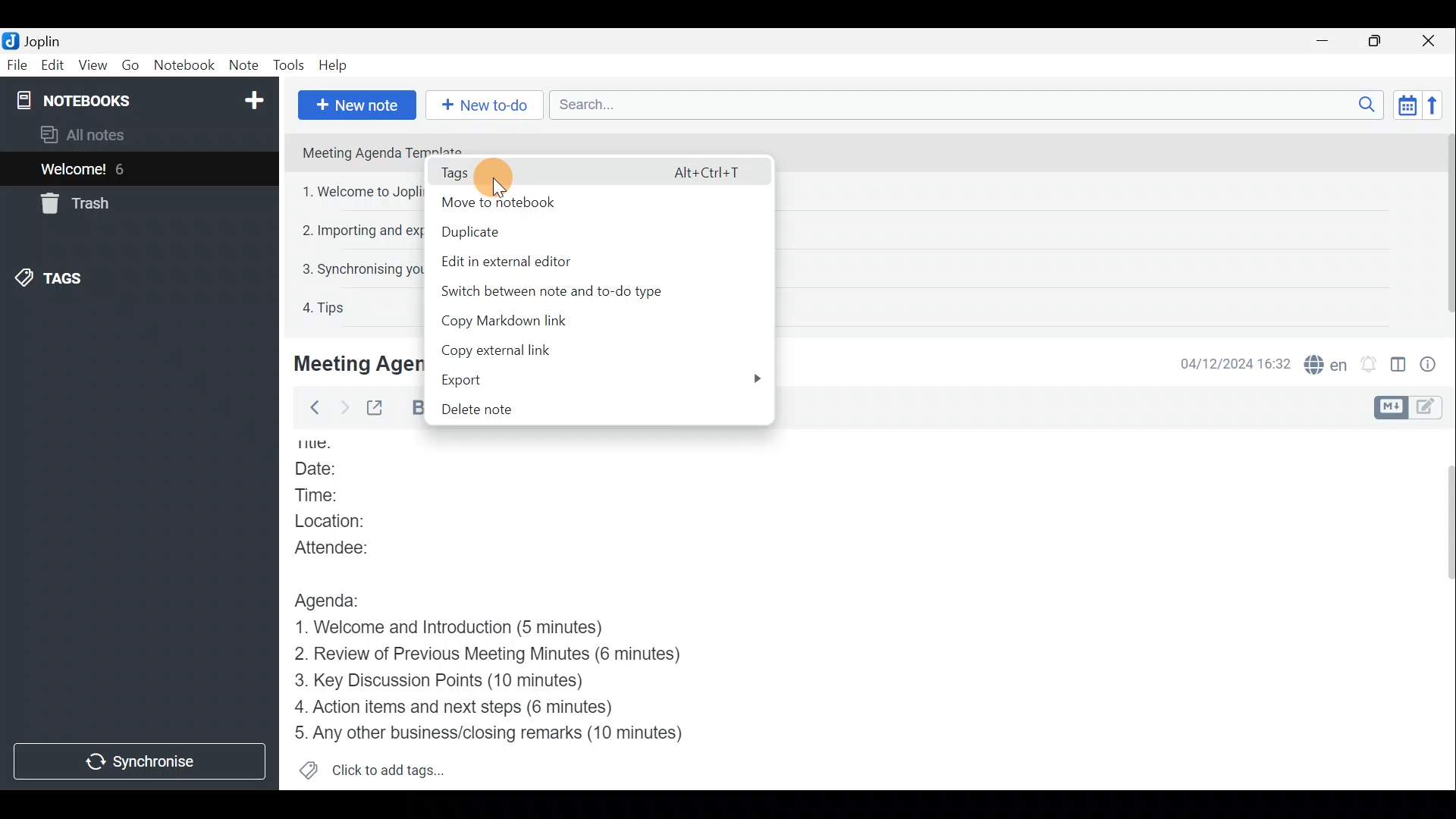 This screenshot has height=819, width=1456. What do you see at coordinates (53, 67) in the screenshot?
I see `Edit` at bounding box center [53, 67].